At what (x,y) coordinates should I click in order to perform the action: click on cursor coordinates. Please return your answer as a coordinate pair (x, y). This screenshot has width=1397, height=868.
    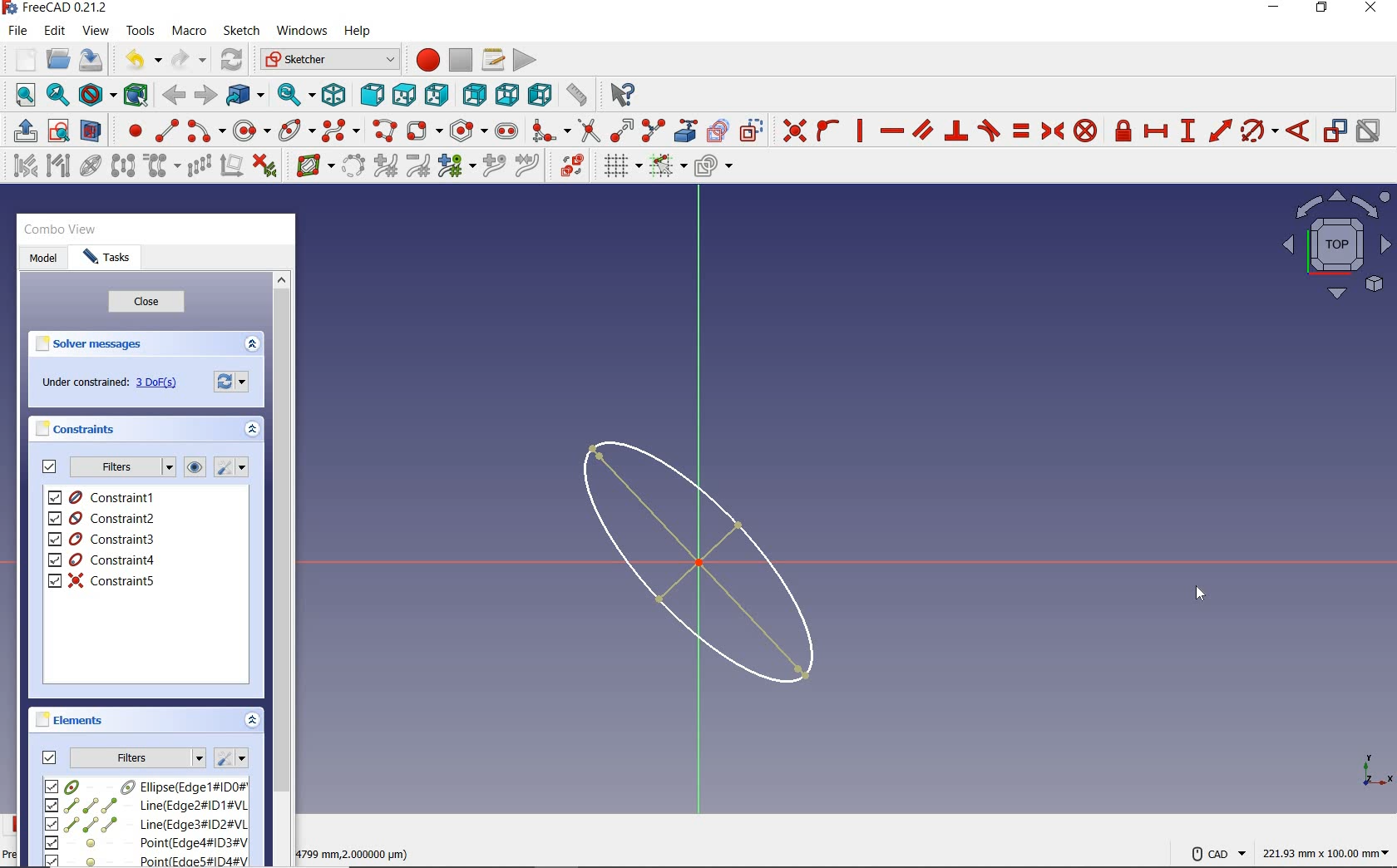
    Looking at the image, I should click on (357, 851).